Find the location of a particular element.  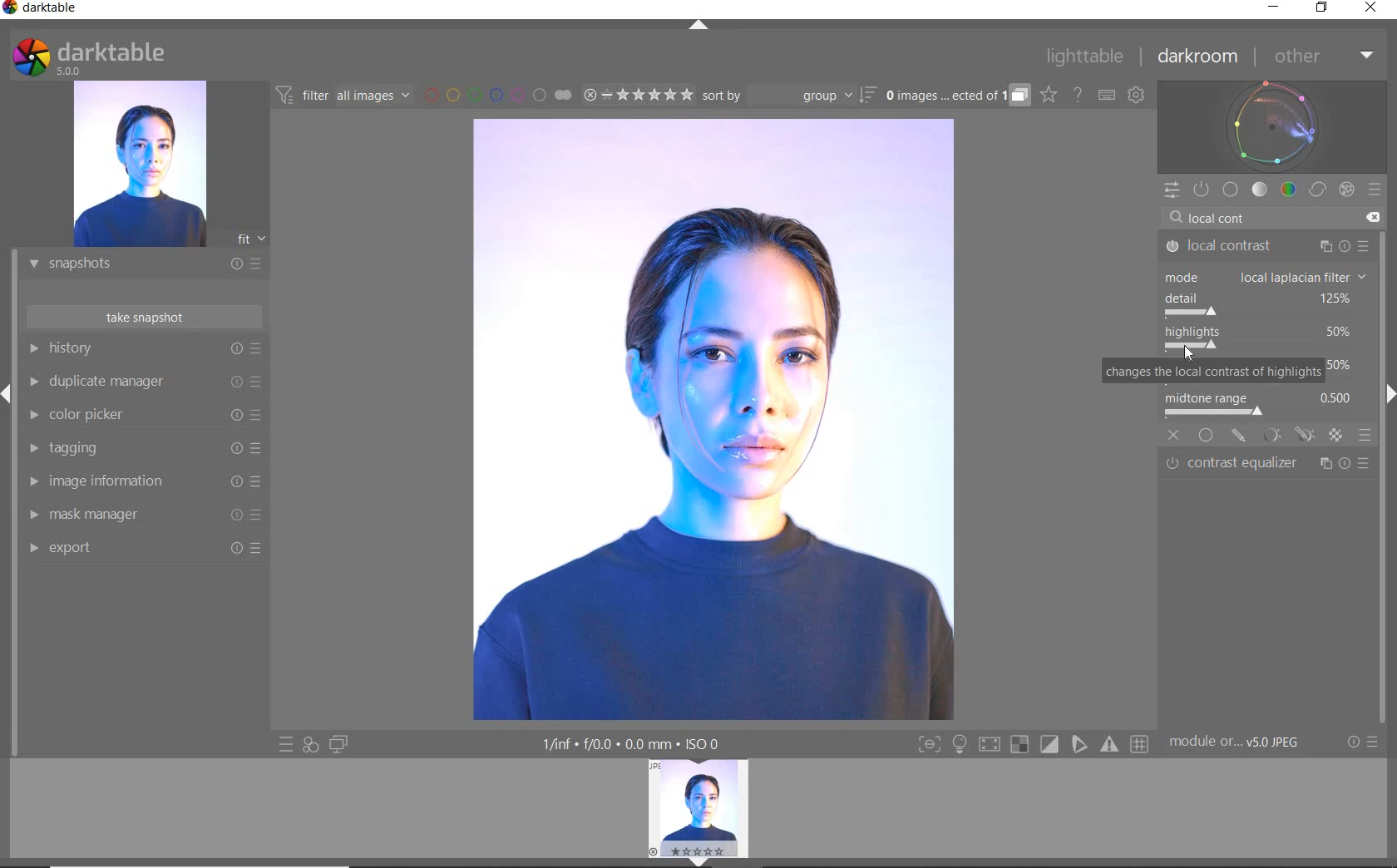

LIGHTTABLE is located at coordinates (1085, 59).